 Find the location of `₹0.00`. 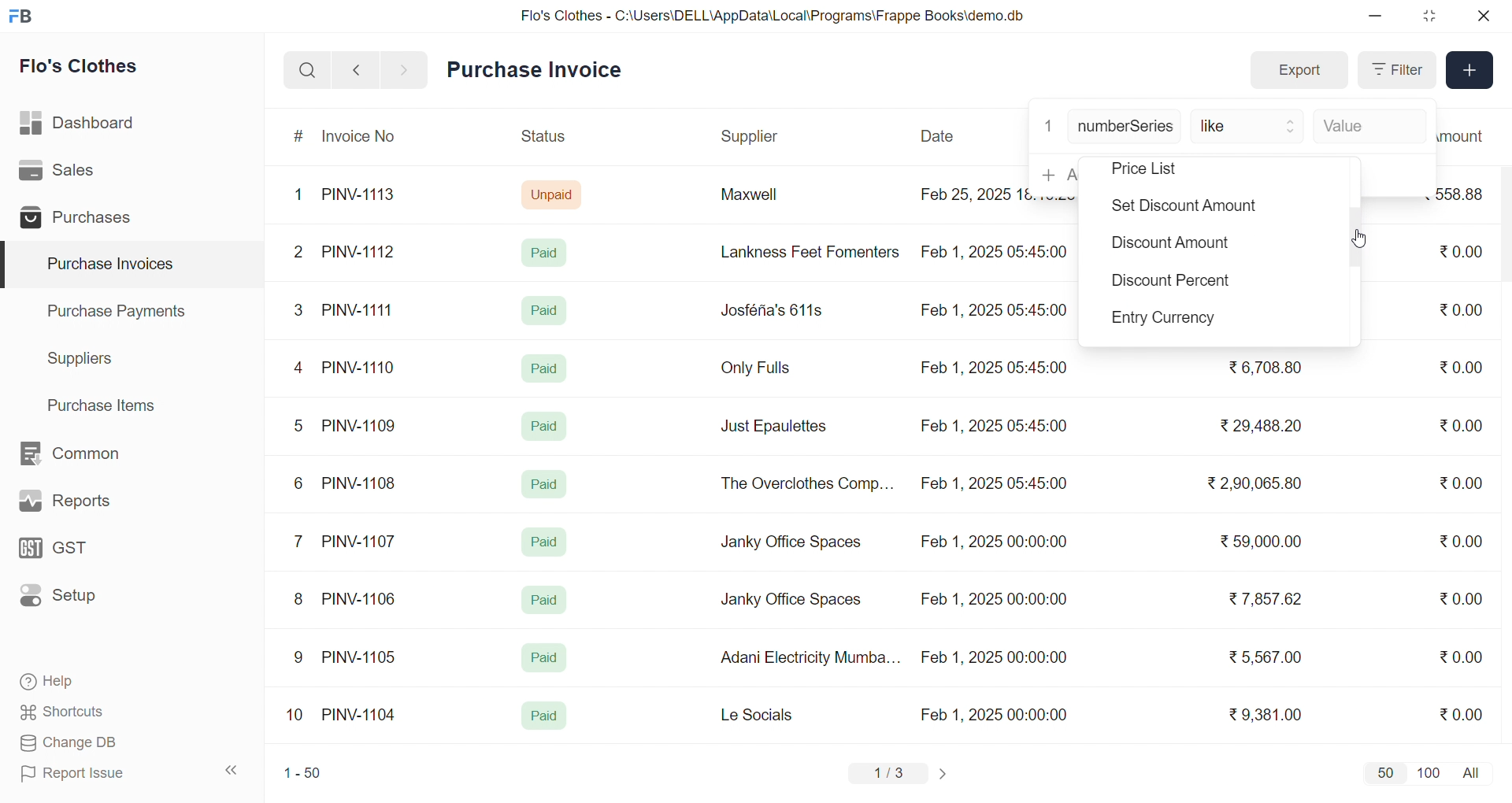

₹0.00 is located at coordinates (1461, 713).